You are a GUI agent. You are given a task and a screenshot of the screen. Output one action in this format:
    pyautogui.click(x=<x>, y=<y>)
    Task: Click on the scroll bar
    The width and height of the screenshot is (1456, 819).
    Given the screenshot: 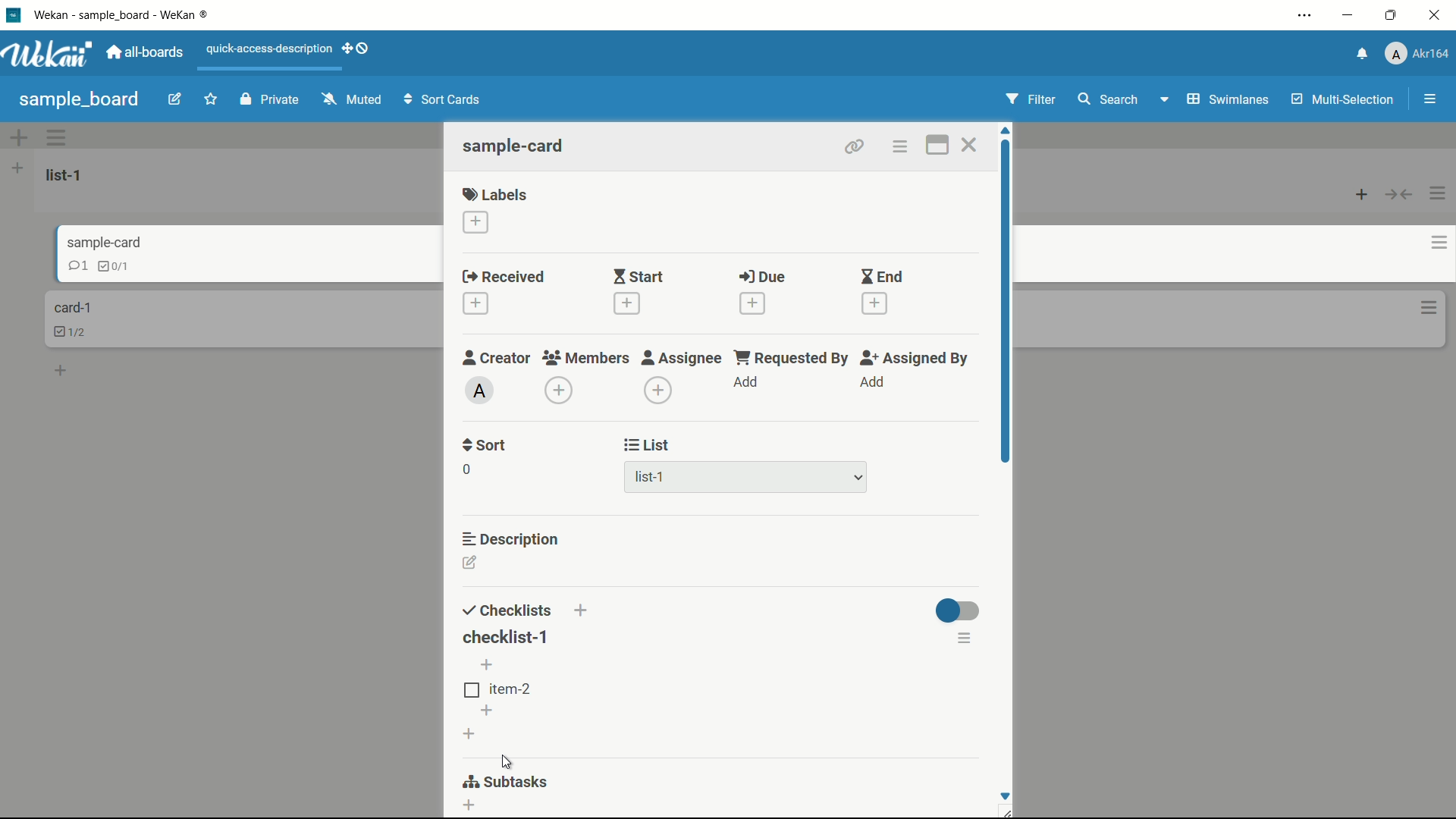 What is the action you would take?
    pyautogui.click(x=1007, y=302)
    